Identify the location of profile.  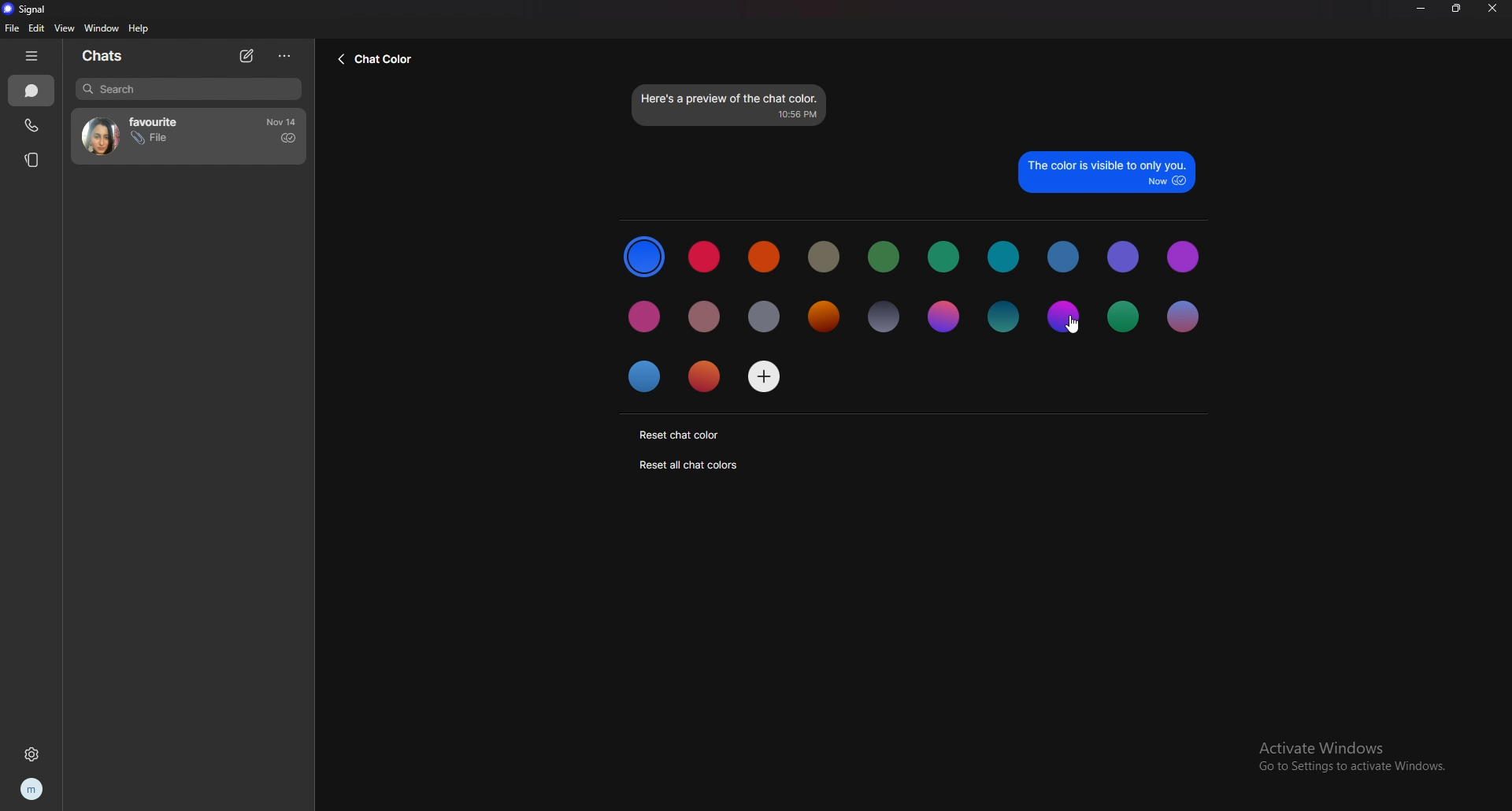
(33, 787).